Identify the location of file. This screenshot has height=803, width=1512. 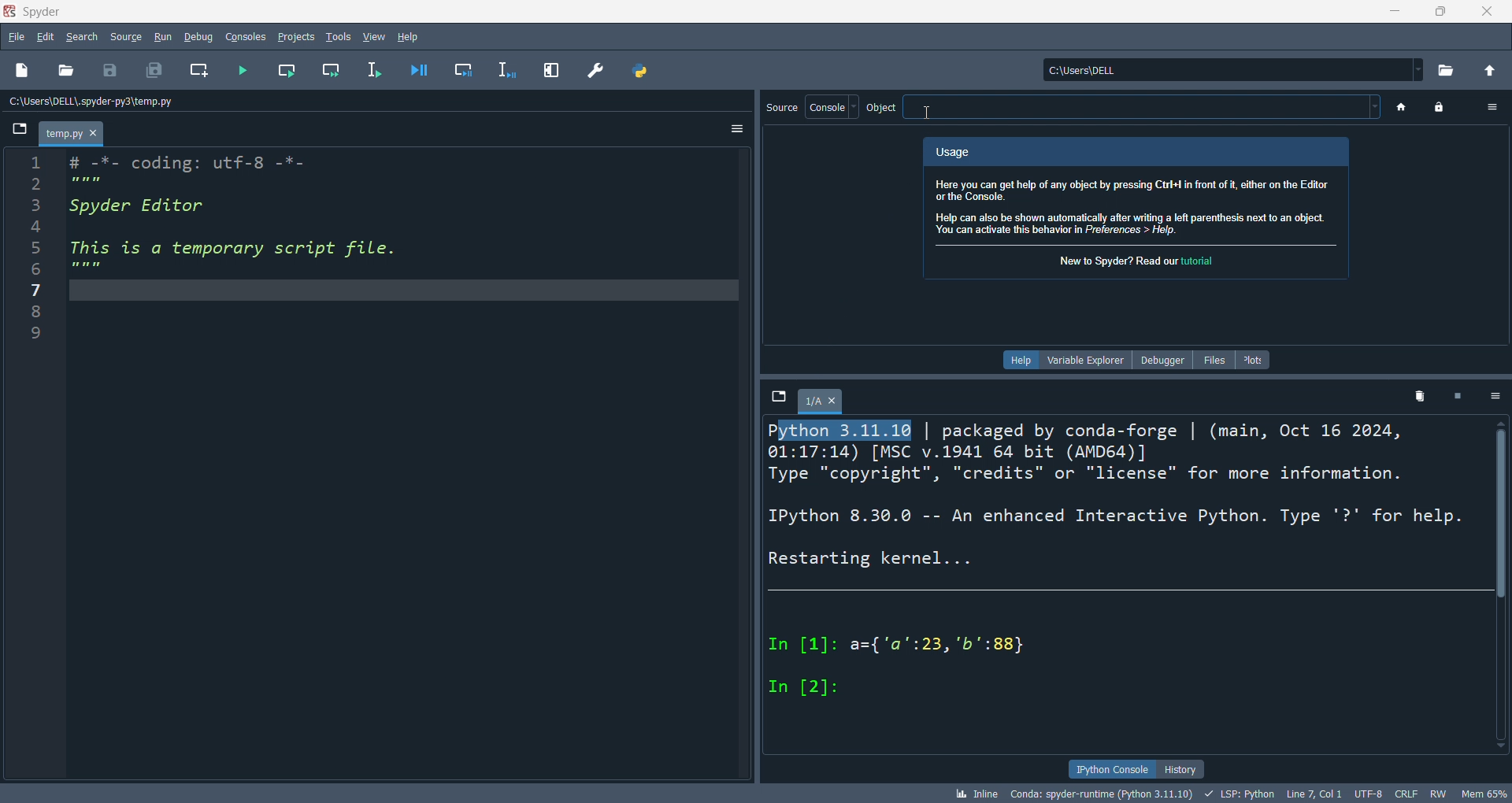
(14, 36).